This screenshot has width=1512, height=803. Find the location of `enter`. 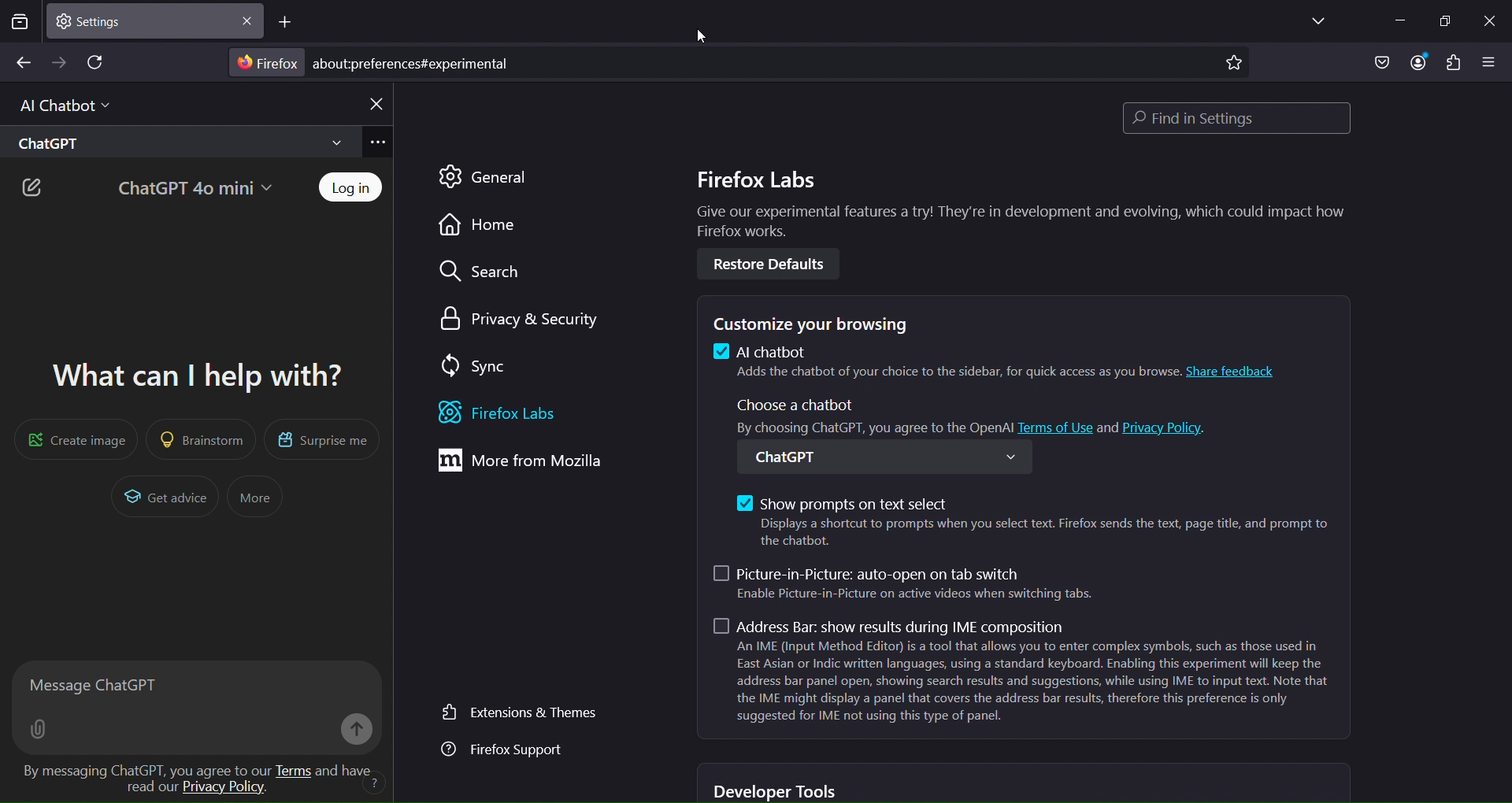

enter is located at coordinates (353, 730).